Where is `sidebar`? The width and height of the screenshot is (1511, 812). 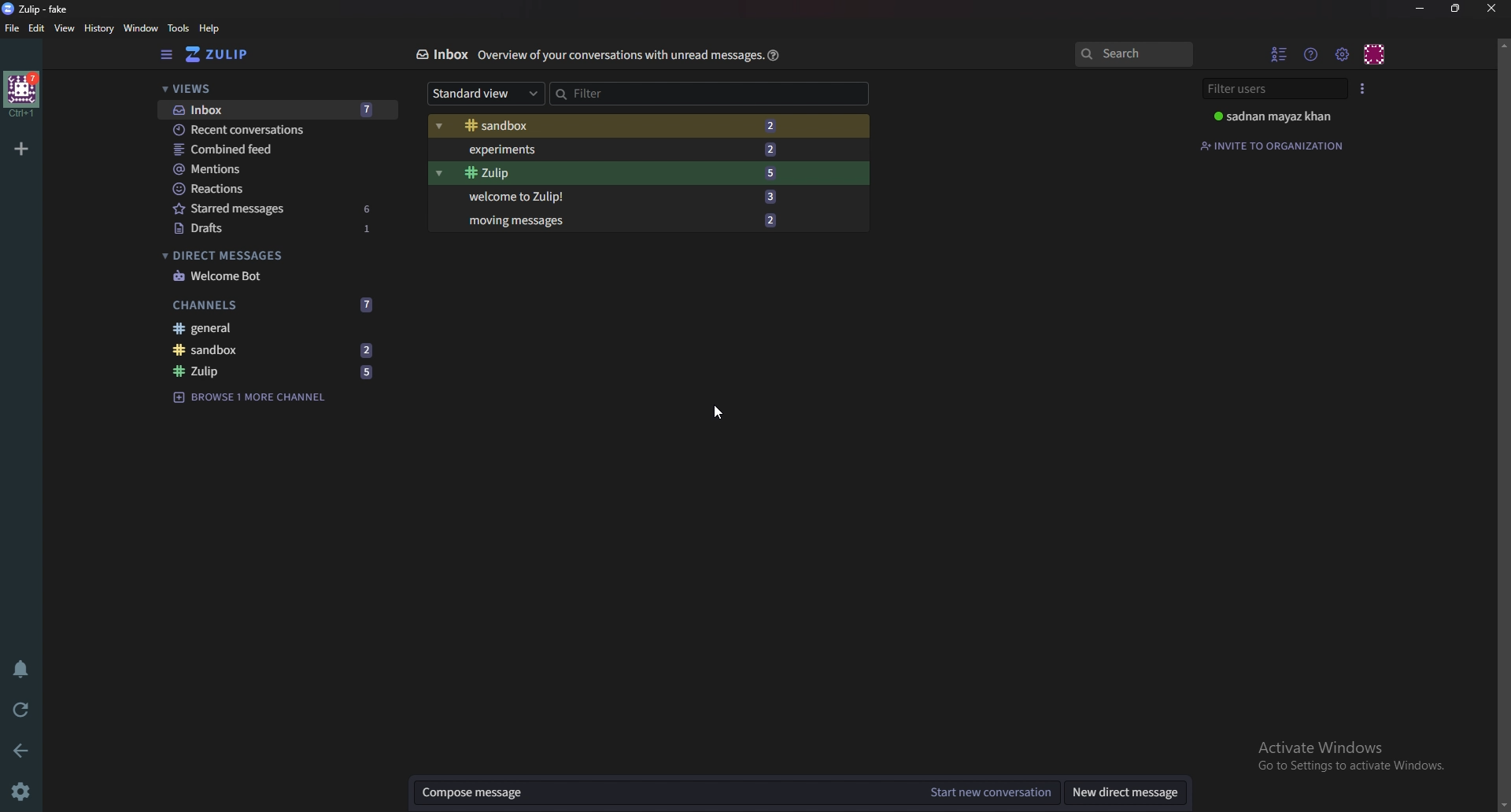
sidebar is located at coordinates (167, 55).